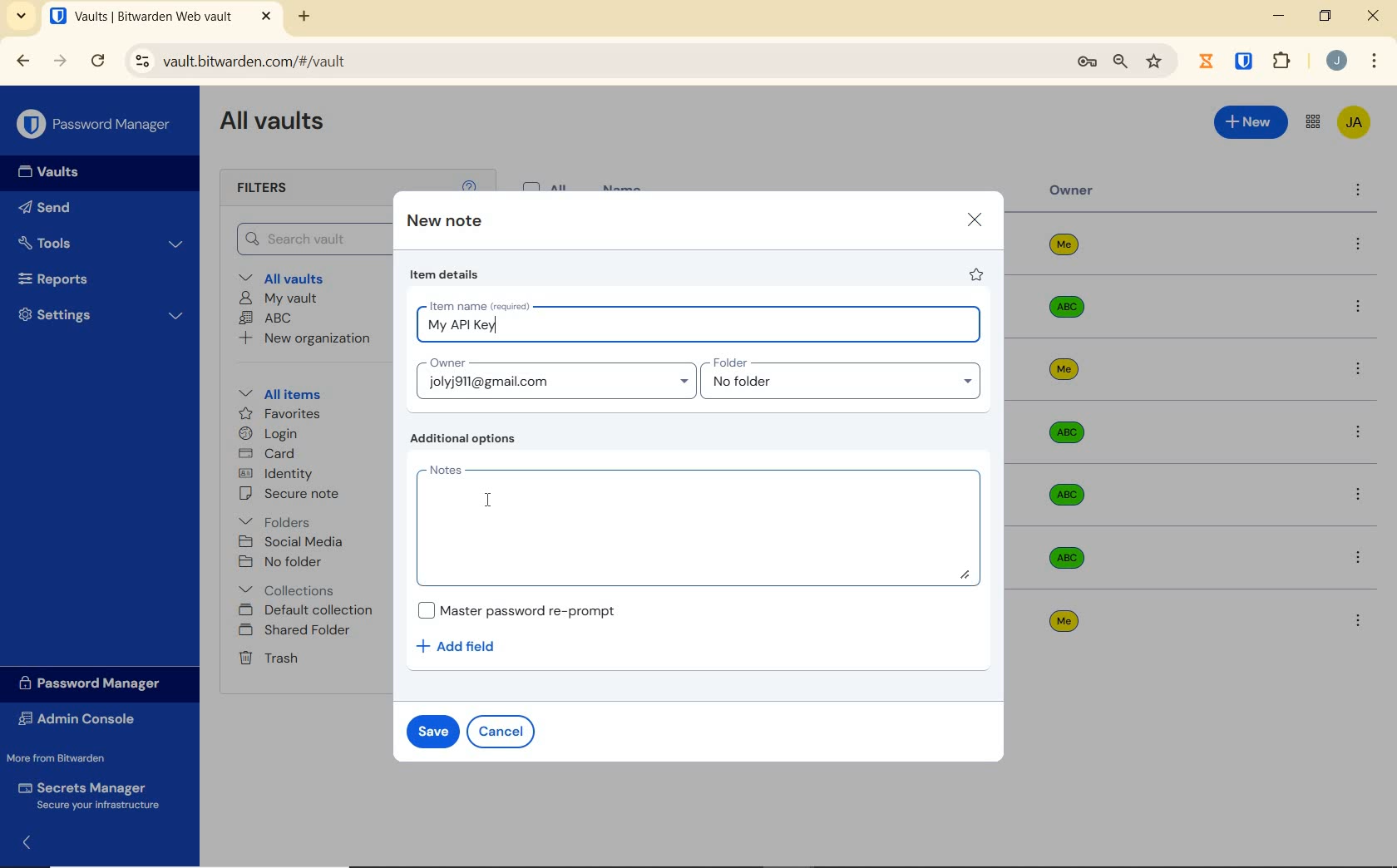 The width and height of the screenshot is (1397, 868). I want to click on secure note, so click(304, 496).